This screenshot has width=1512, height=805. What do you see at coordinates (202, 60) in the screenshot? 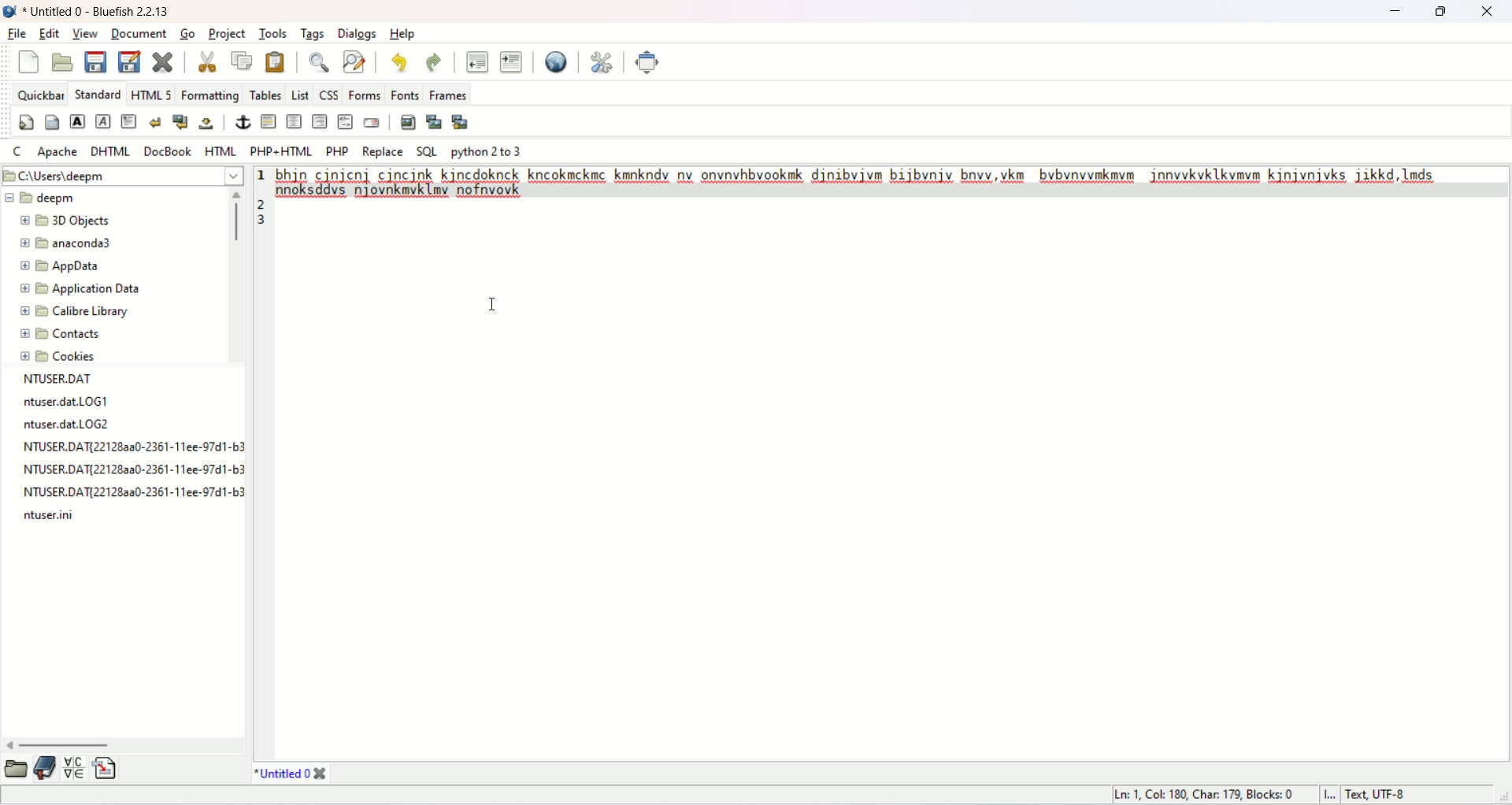
I see `cut` at bounding box center [202, 60].